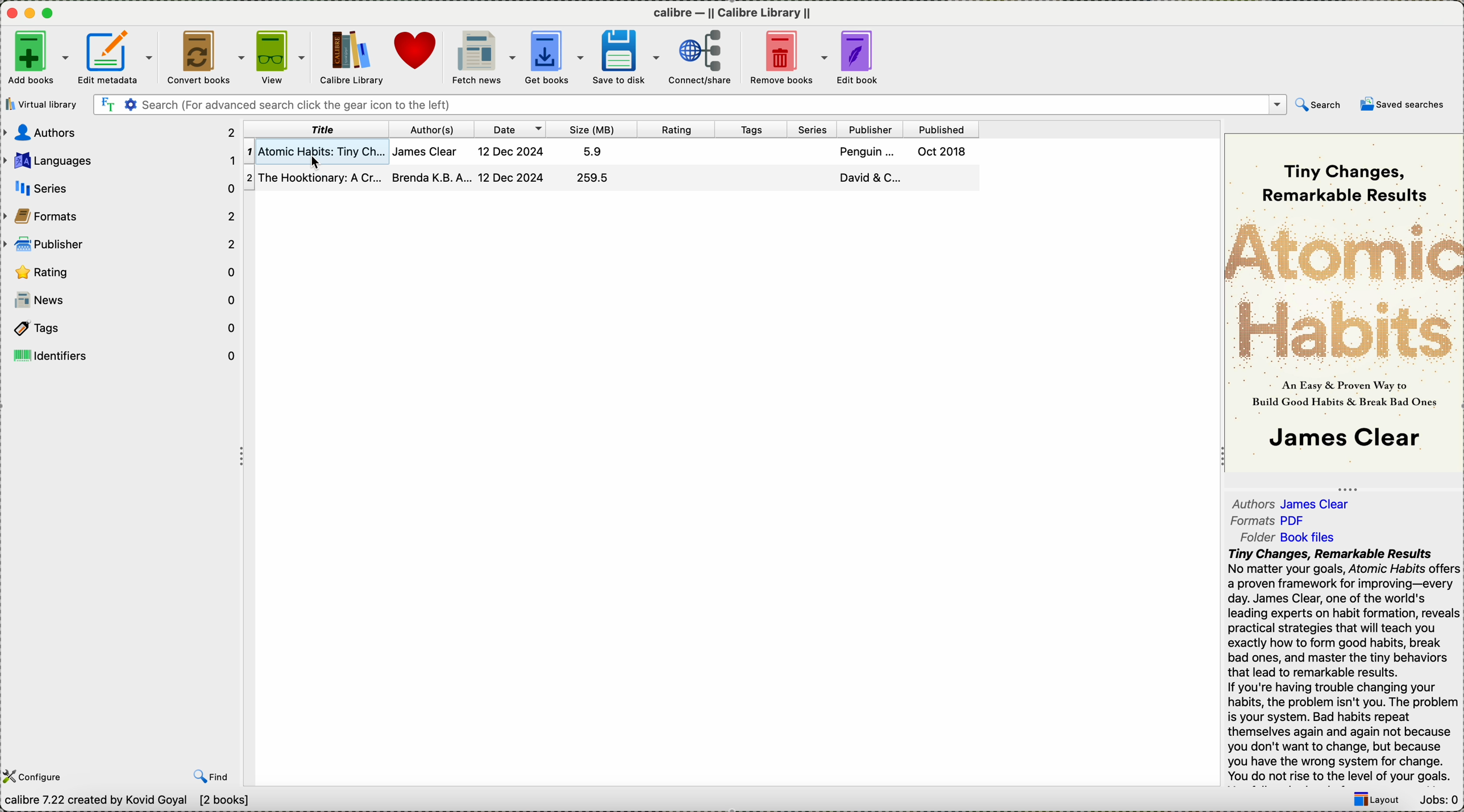 This screenshot has width=1464, height=812. What do you see at coordinates (591, 129) in the screenshot?
I see `size` at bounding box center [591, 129].